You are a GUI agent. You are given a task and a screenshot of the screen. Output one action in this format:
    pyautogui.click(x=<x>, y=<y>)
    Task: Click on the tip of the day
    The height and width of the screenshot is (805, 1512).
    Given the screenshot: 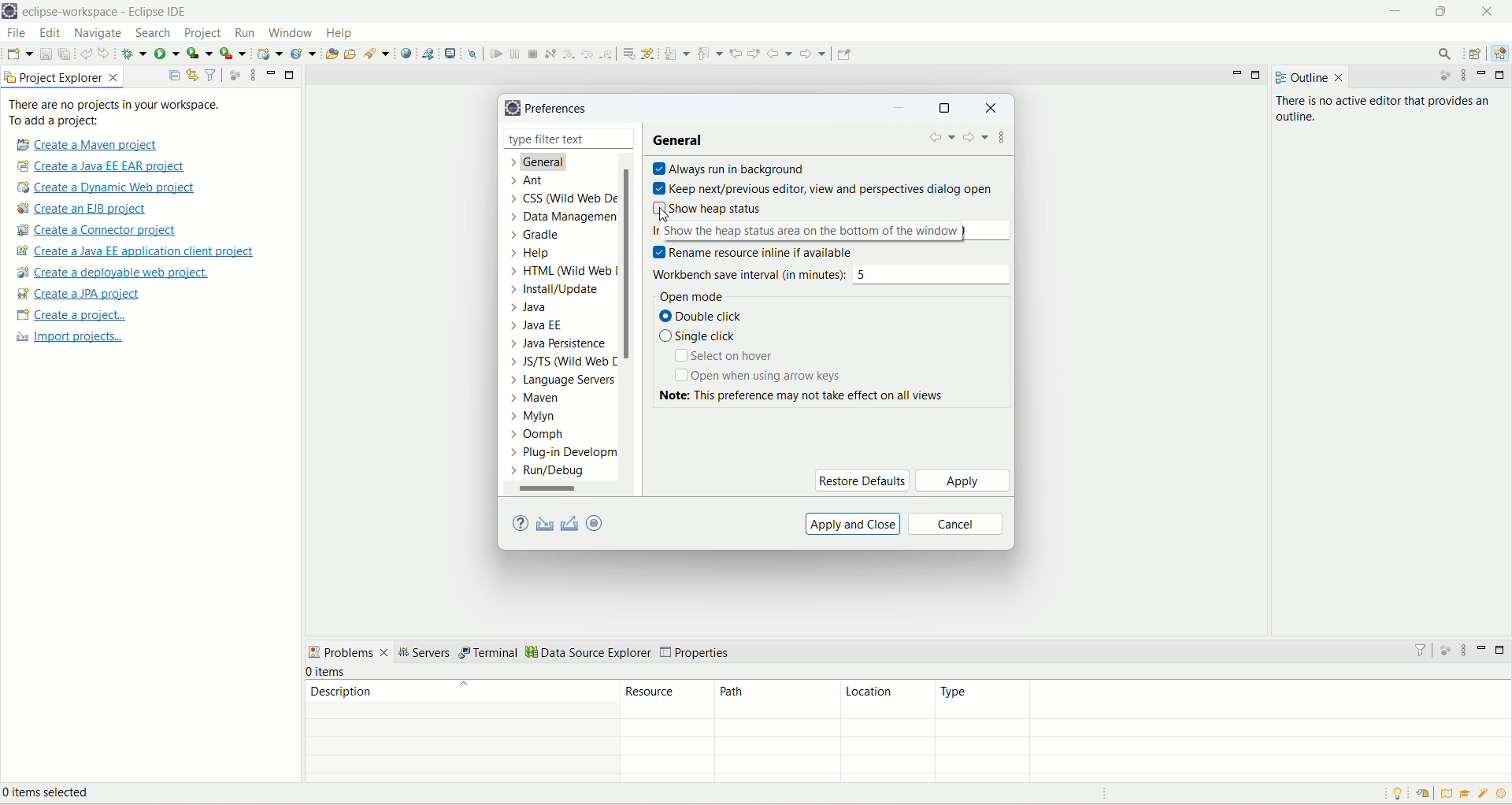 What is the action you would take?
    pyautogui.click(x=1401, y=793)
    